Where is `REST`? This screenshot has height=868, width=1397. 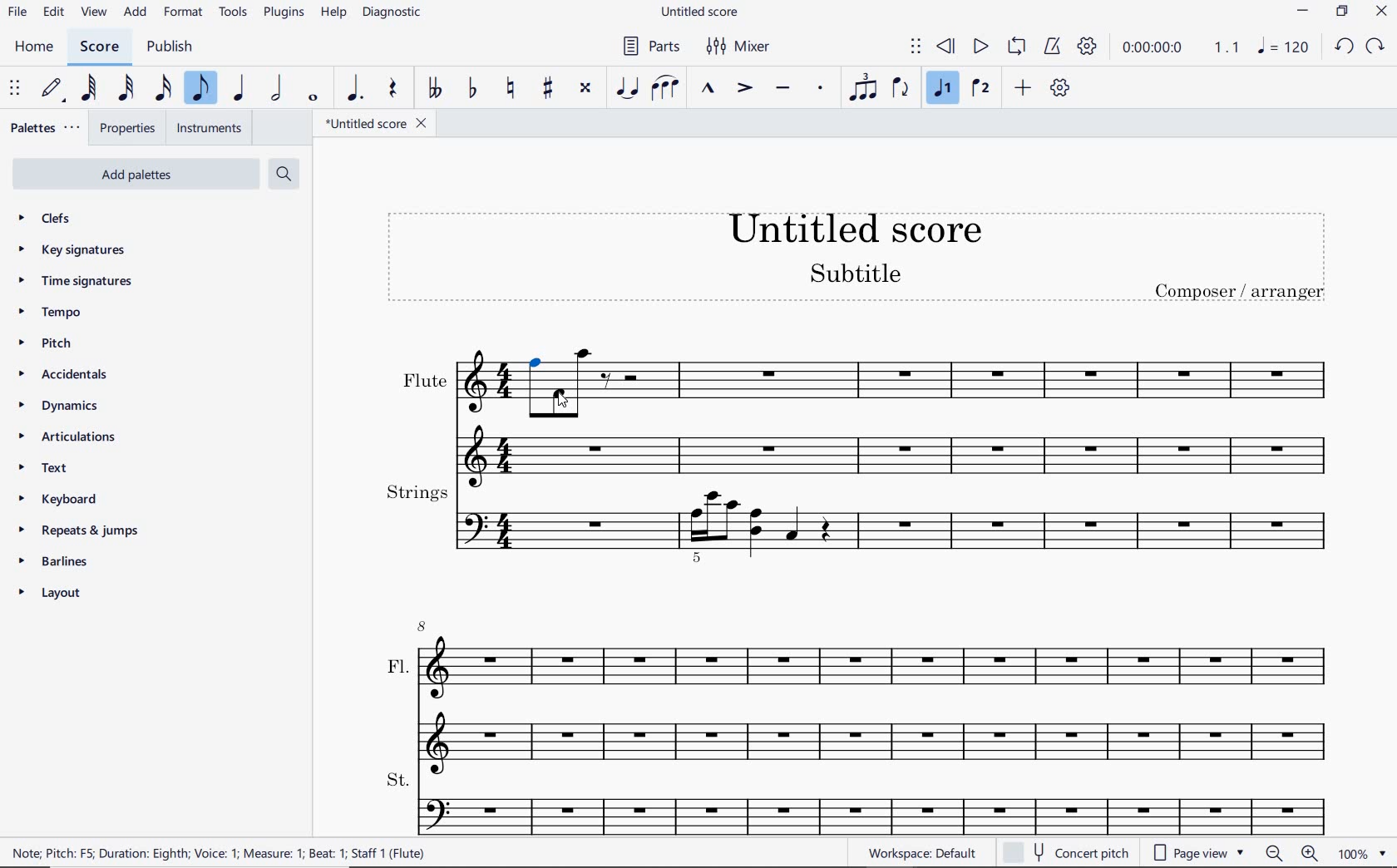 REST is located at coordinates (393, 90).